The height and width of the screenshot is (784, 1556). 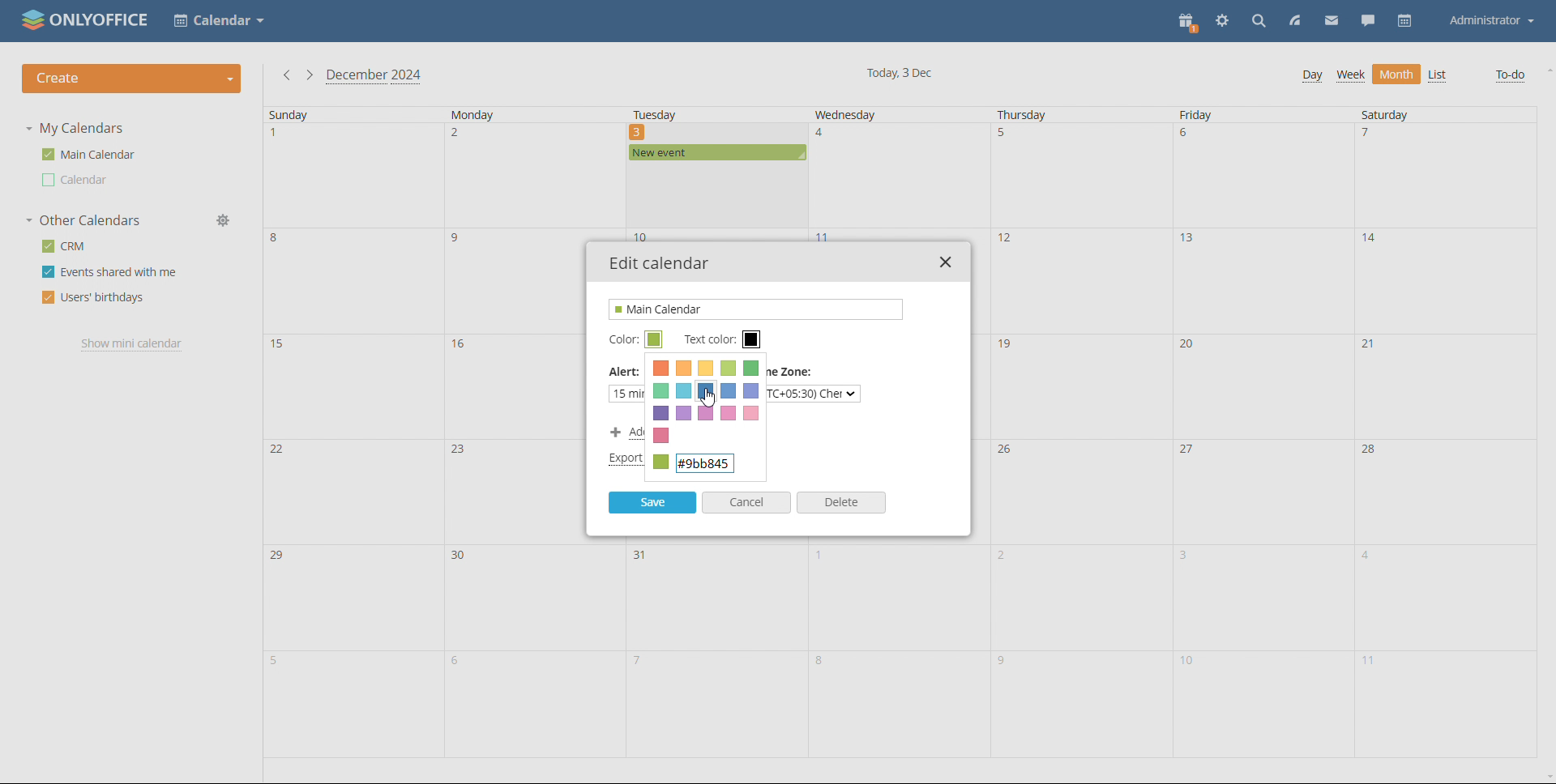 I want to click on currently set color, so click(x=704, y=465).